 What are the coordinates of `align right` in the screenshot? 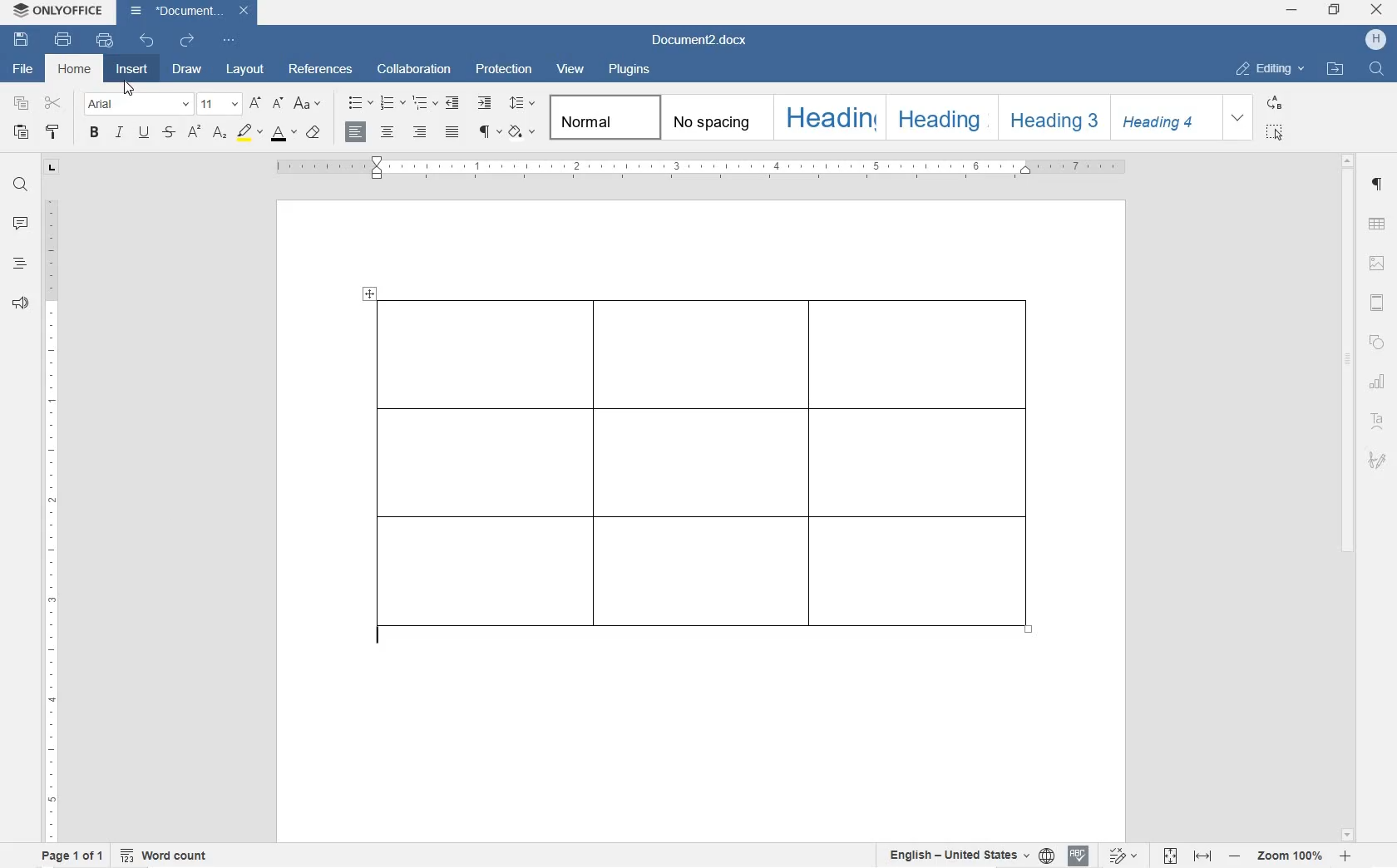 It's located at (418, 133).